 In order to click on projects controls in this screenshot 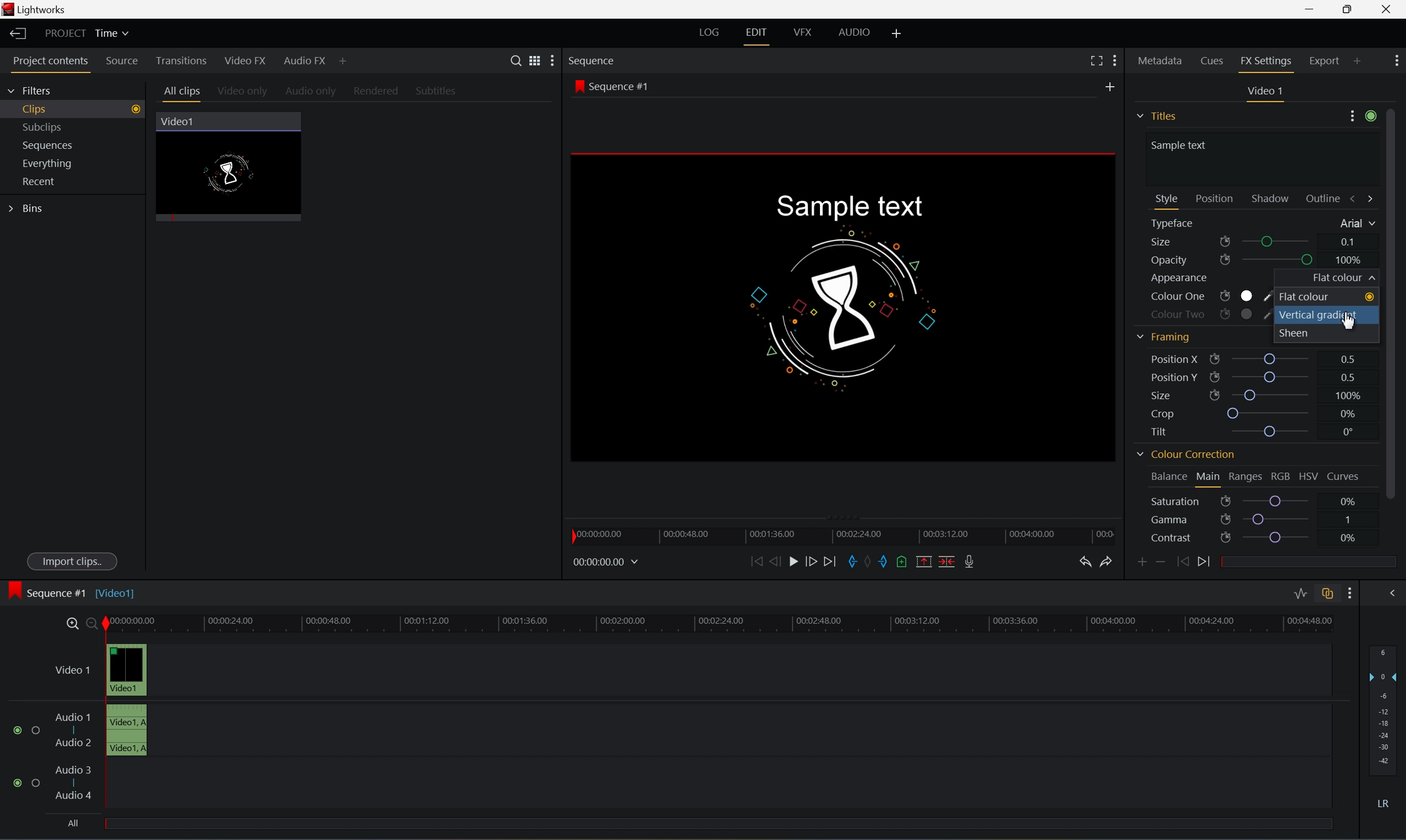, I will do `click(54, 62)`.